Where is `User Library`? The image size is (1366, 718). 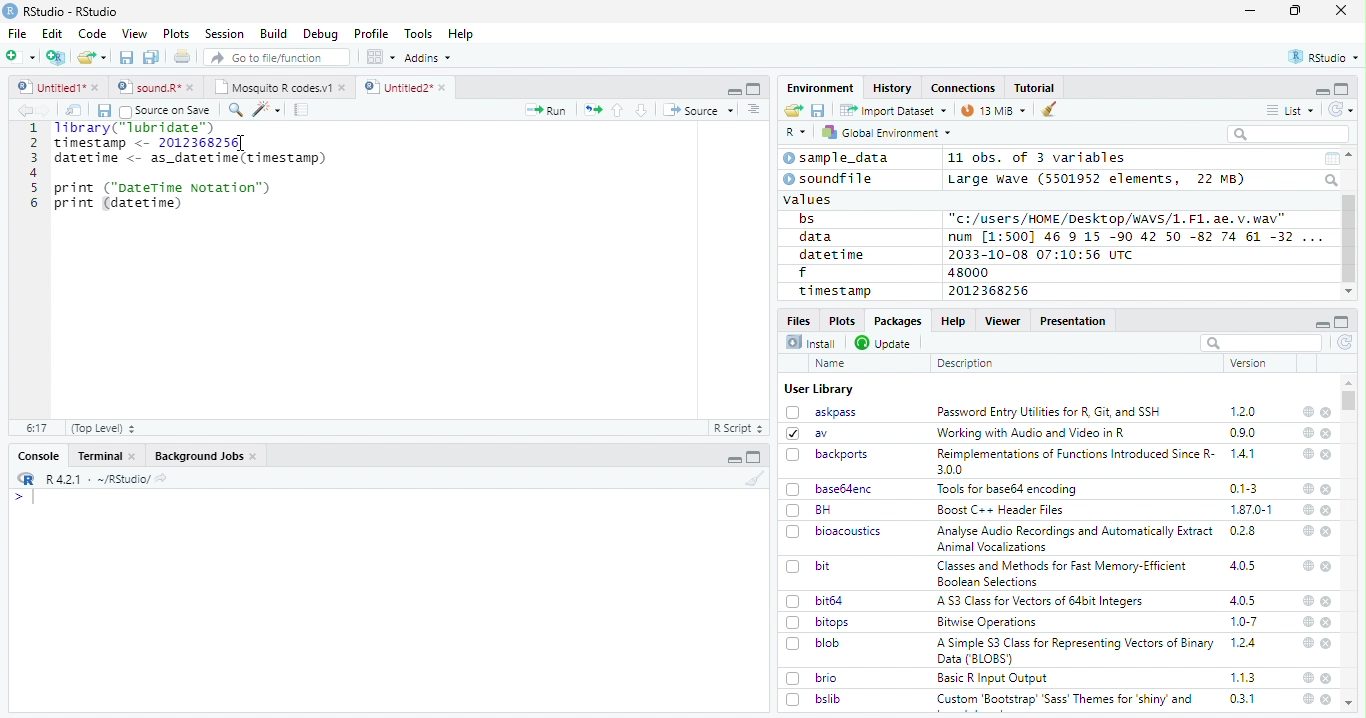 User Library is located at coordinates (819, 389).